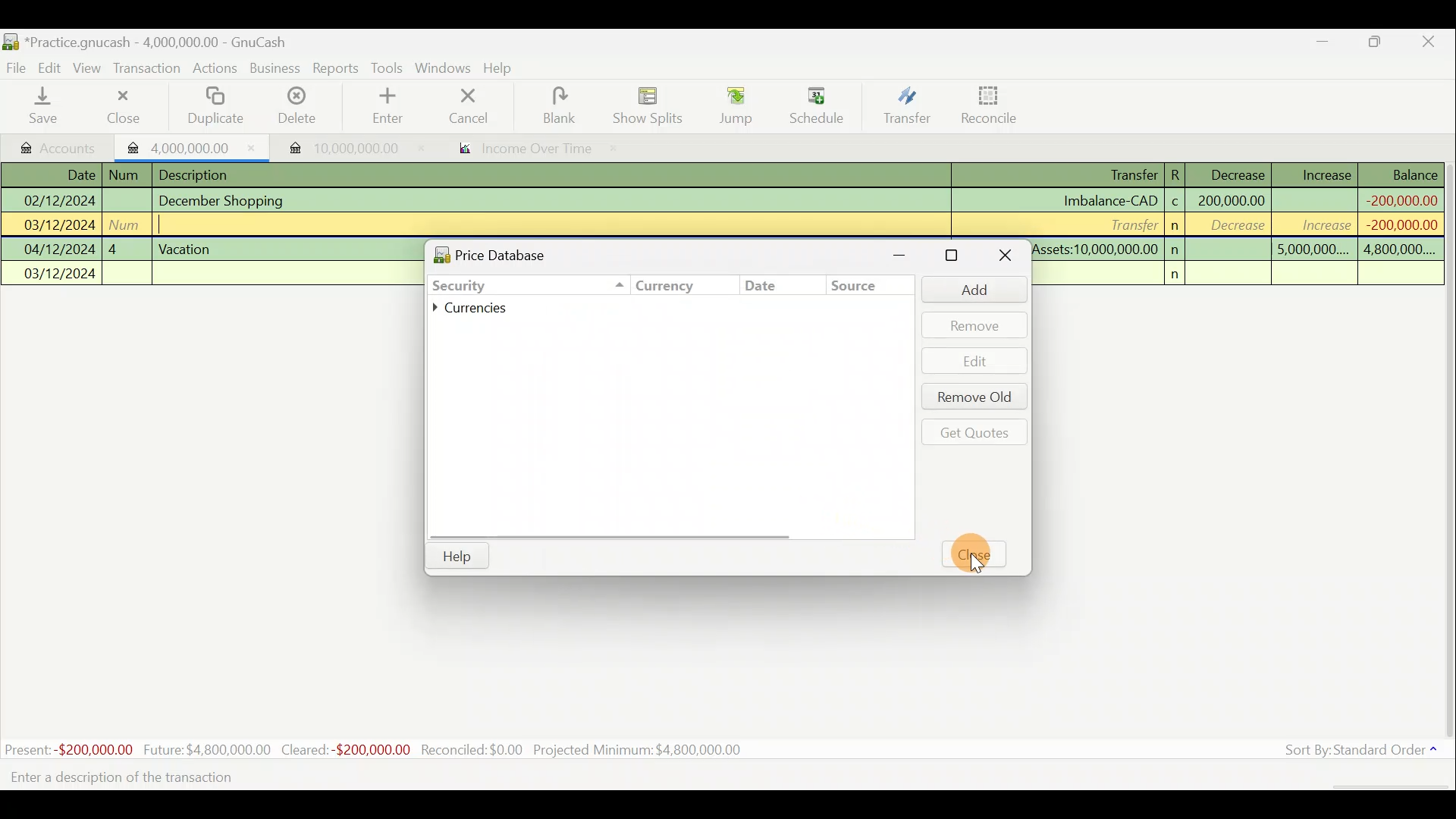  I want to click on cancel, so click(485, 108).